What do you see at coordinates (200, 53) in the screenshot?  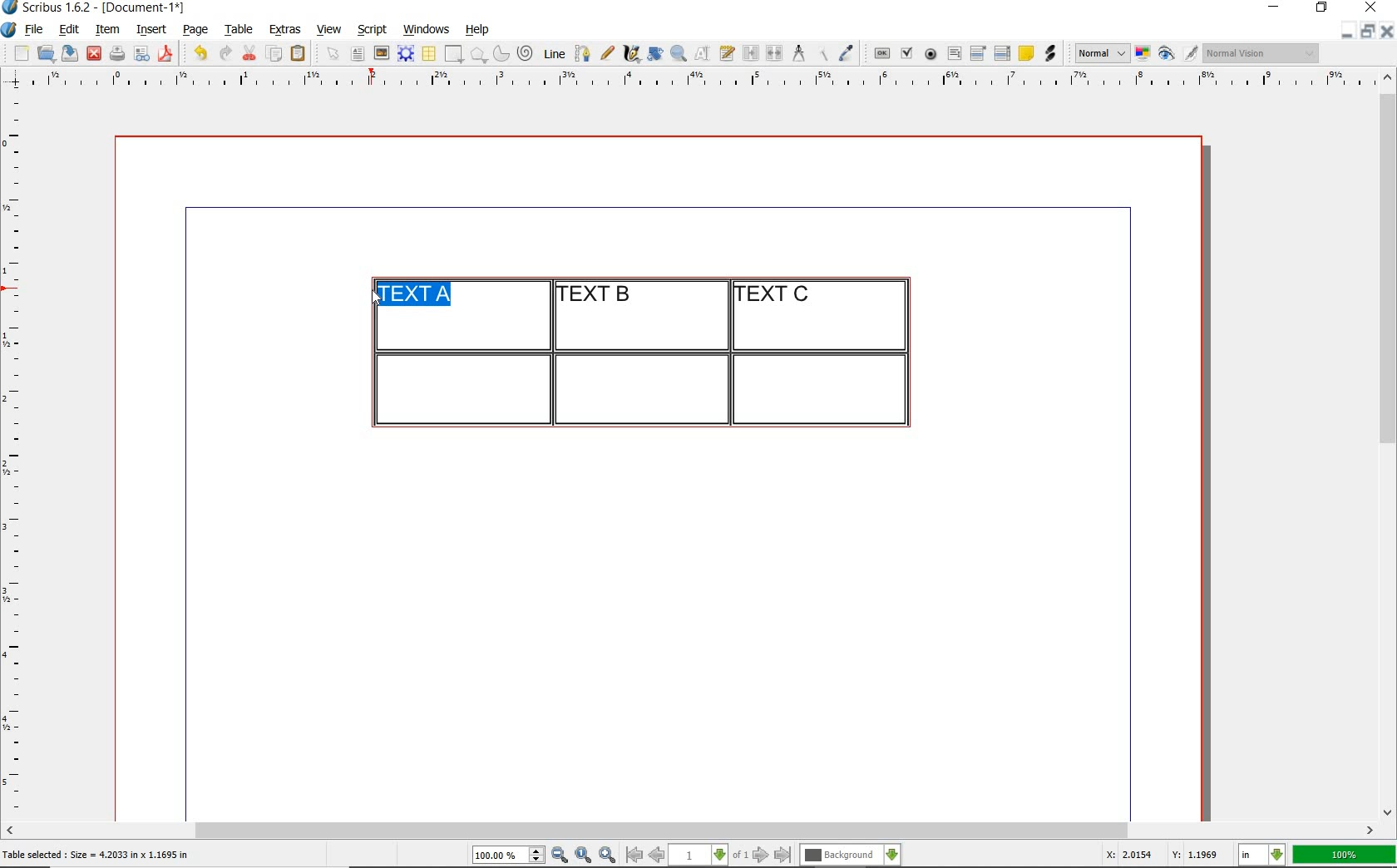 I see `undo` at bounding box center [200, 53].